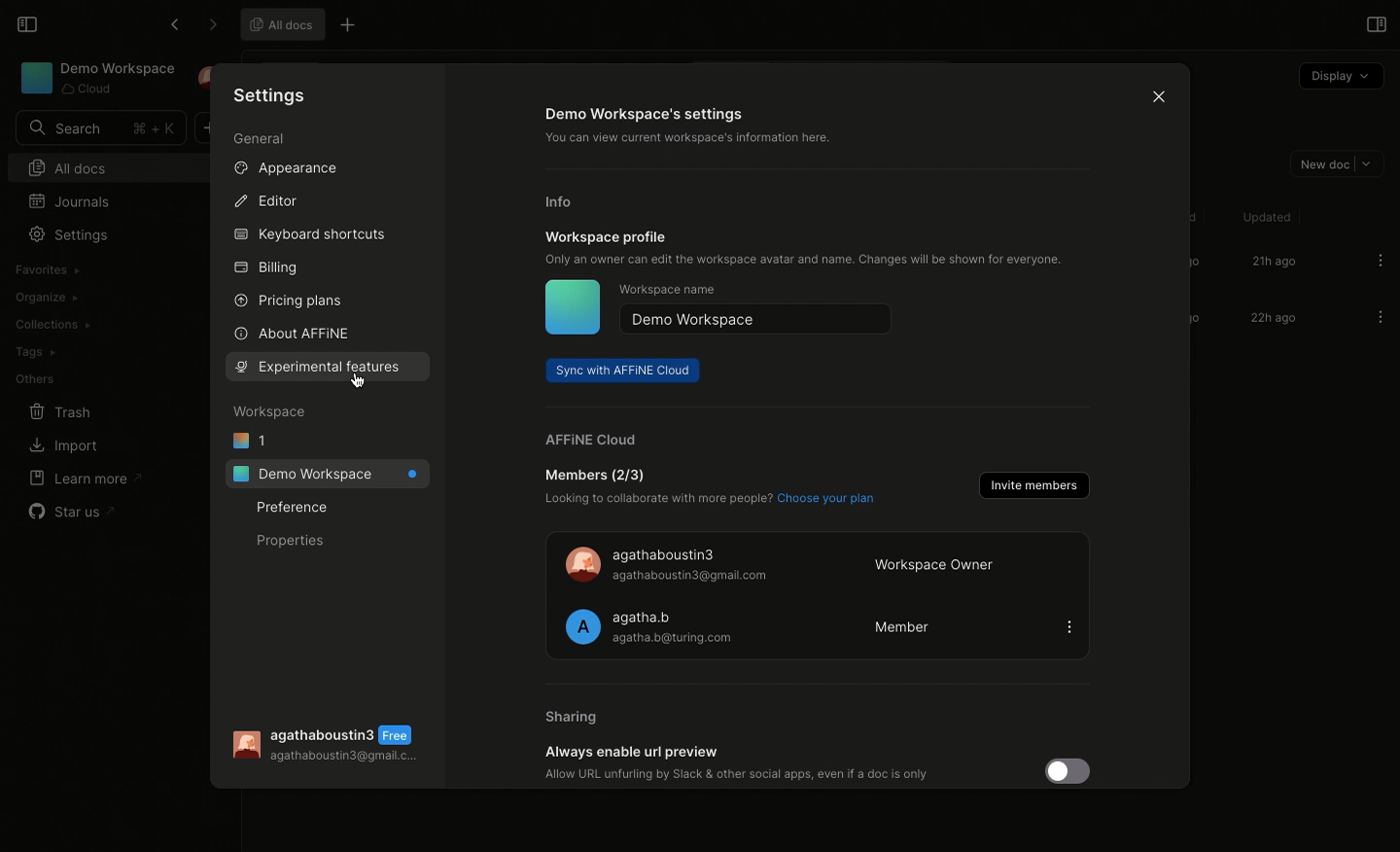 The width and height of the screenshot is (1400, 852). Describe the element at coordinates (283, 167) in the screenshot. I see `Appearance` at that location.